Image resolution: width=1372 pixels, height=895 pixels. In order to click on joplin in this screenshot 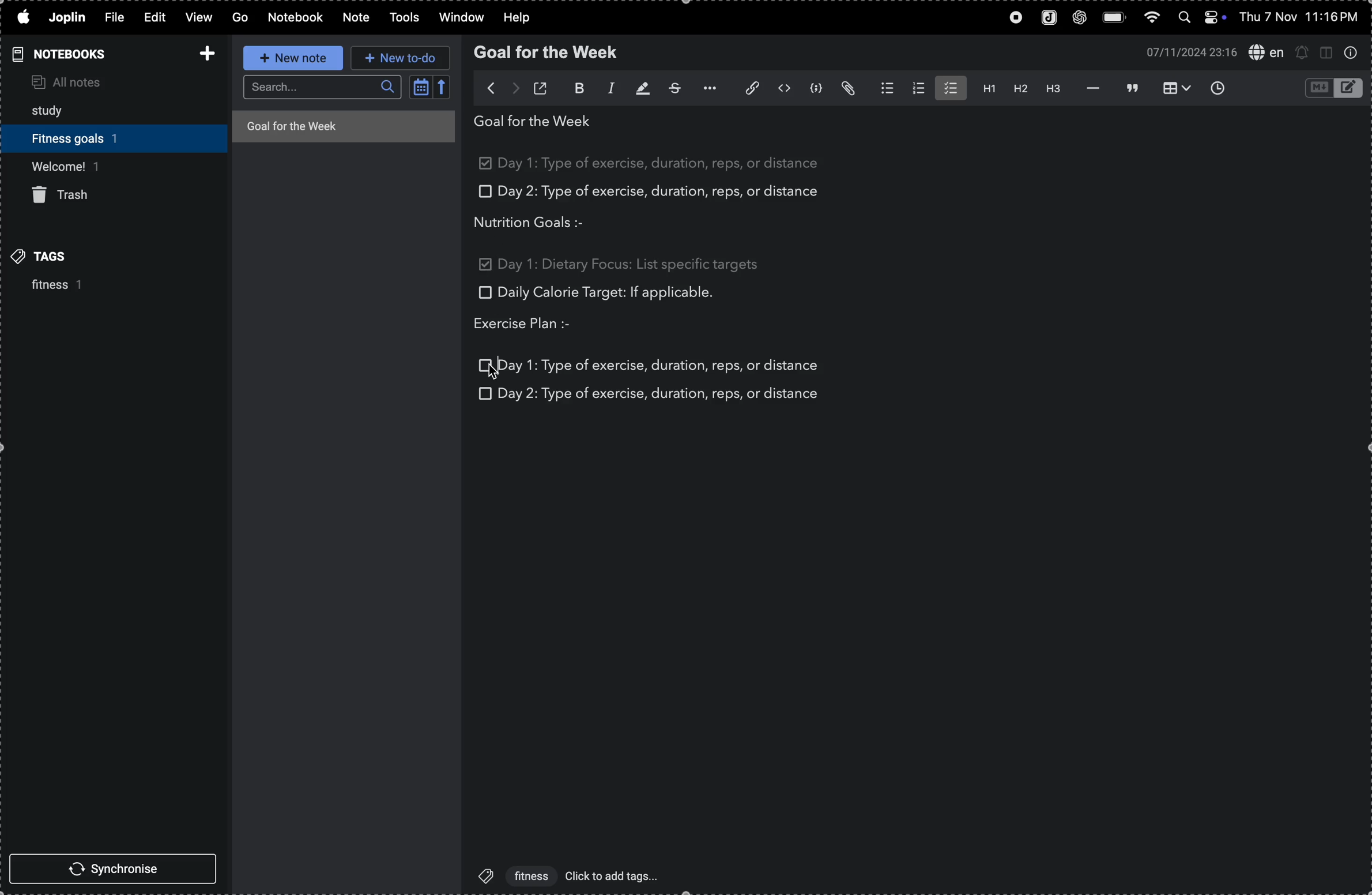, I will do `click(1046, 17)`.